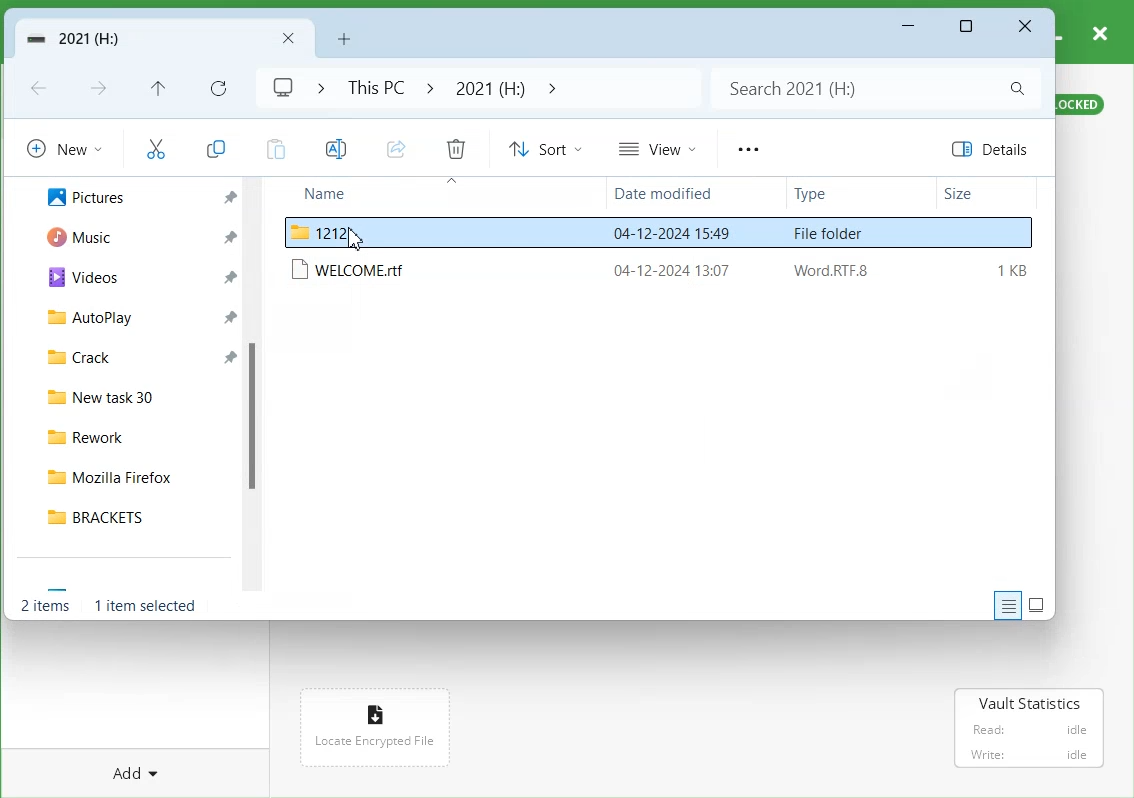 The height and width of the screenshot is (798, 1134). I want to click on Welcome.rtf, so click(662, 270).